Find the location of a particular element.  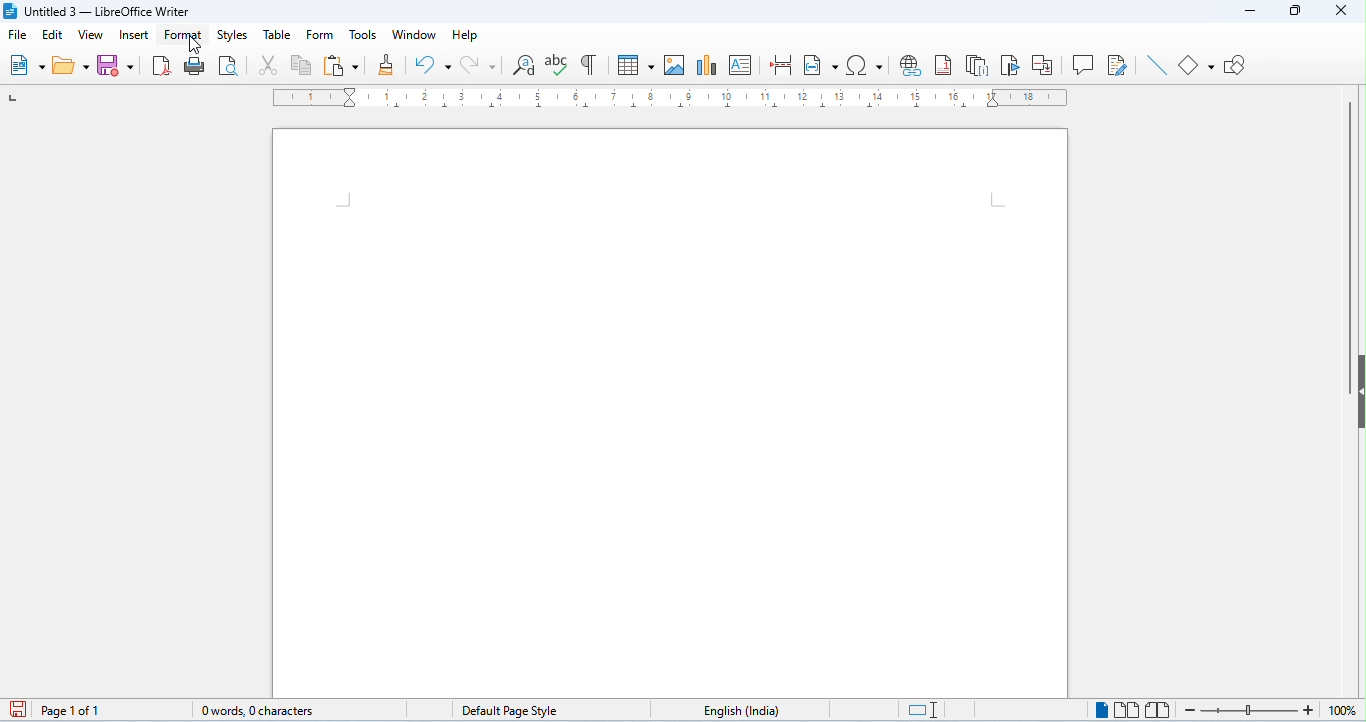

undo is located at coordinates (433, 64).